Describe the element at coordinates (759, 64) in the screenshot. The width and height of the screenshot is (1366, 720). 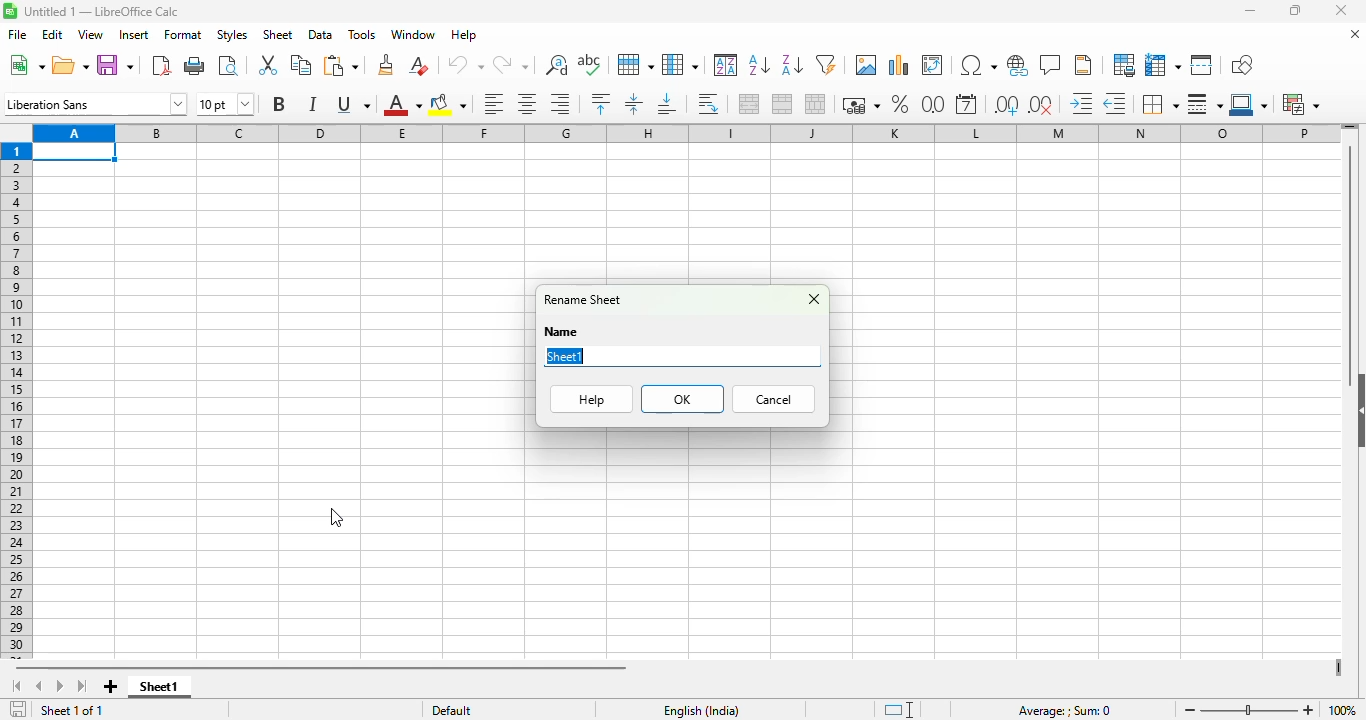
I see `sort ascending` at that location.